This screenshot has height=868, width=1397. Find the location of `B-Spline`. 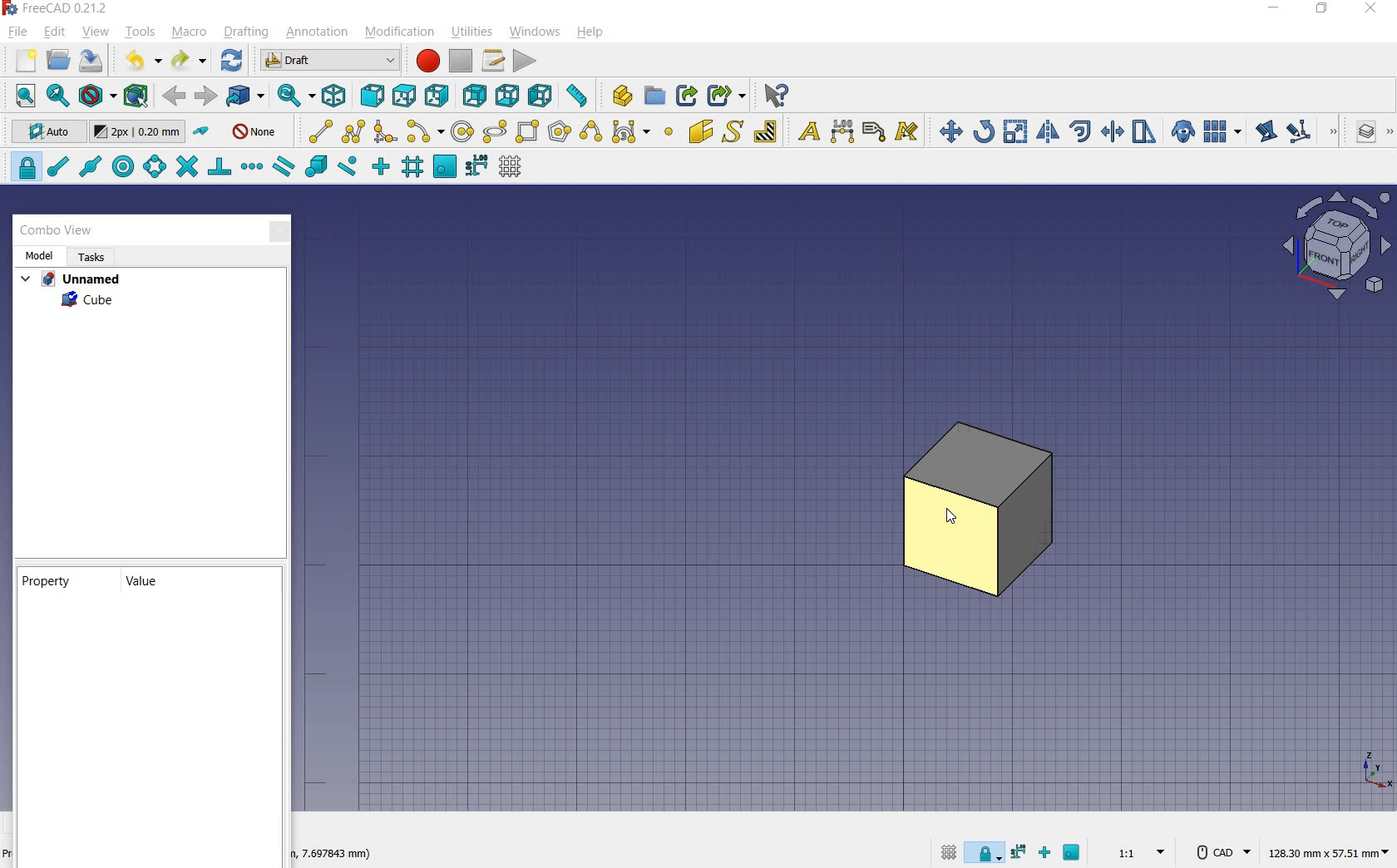

B-Spline is located at coordinates (590, 133).